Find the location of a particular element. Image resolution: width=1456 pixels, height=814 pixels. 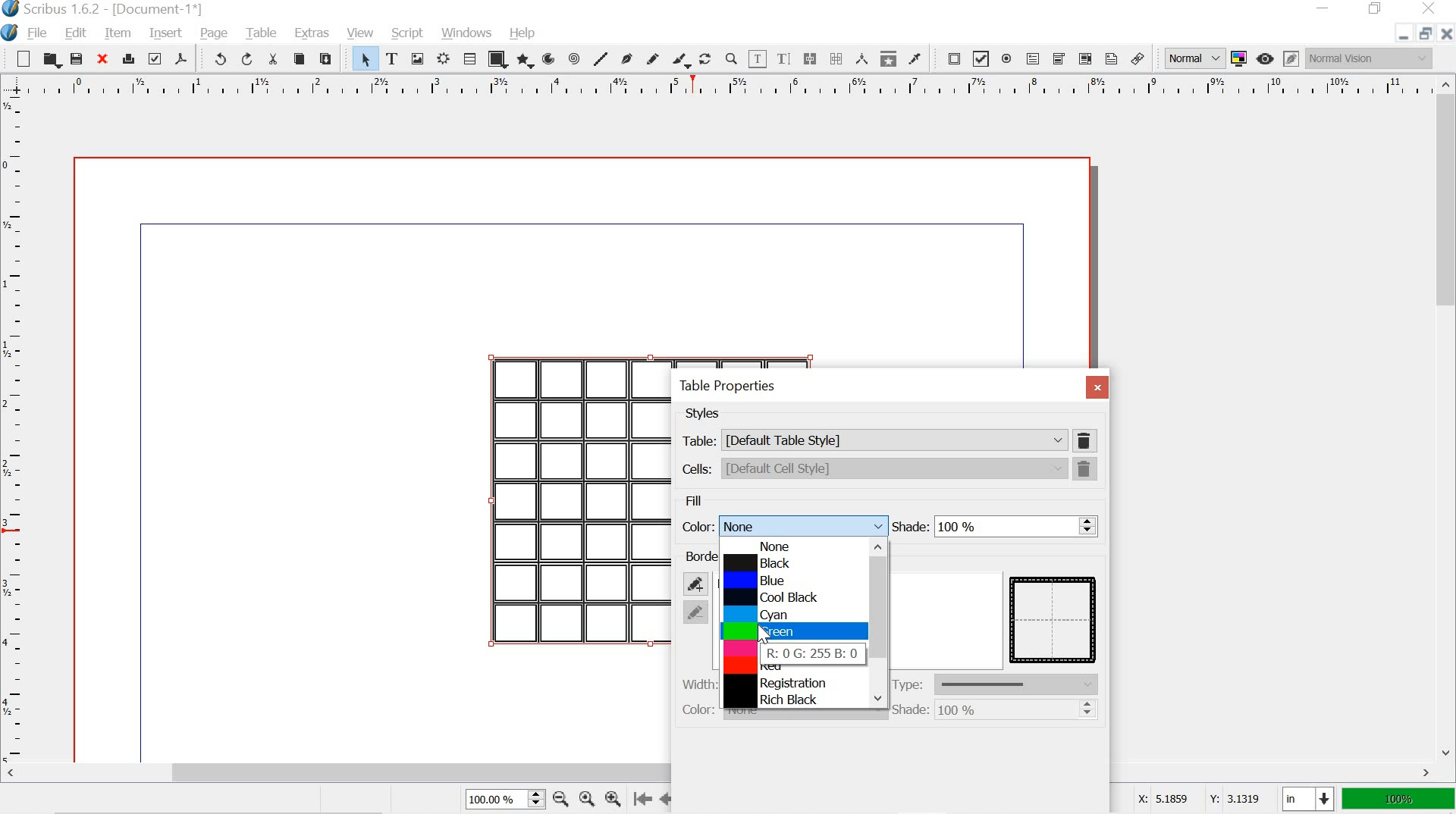

go to the first page is located at coordinates (645, 800).